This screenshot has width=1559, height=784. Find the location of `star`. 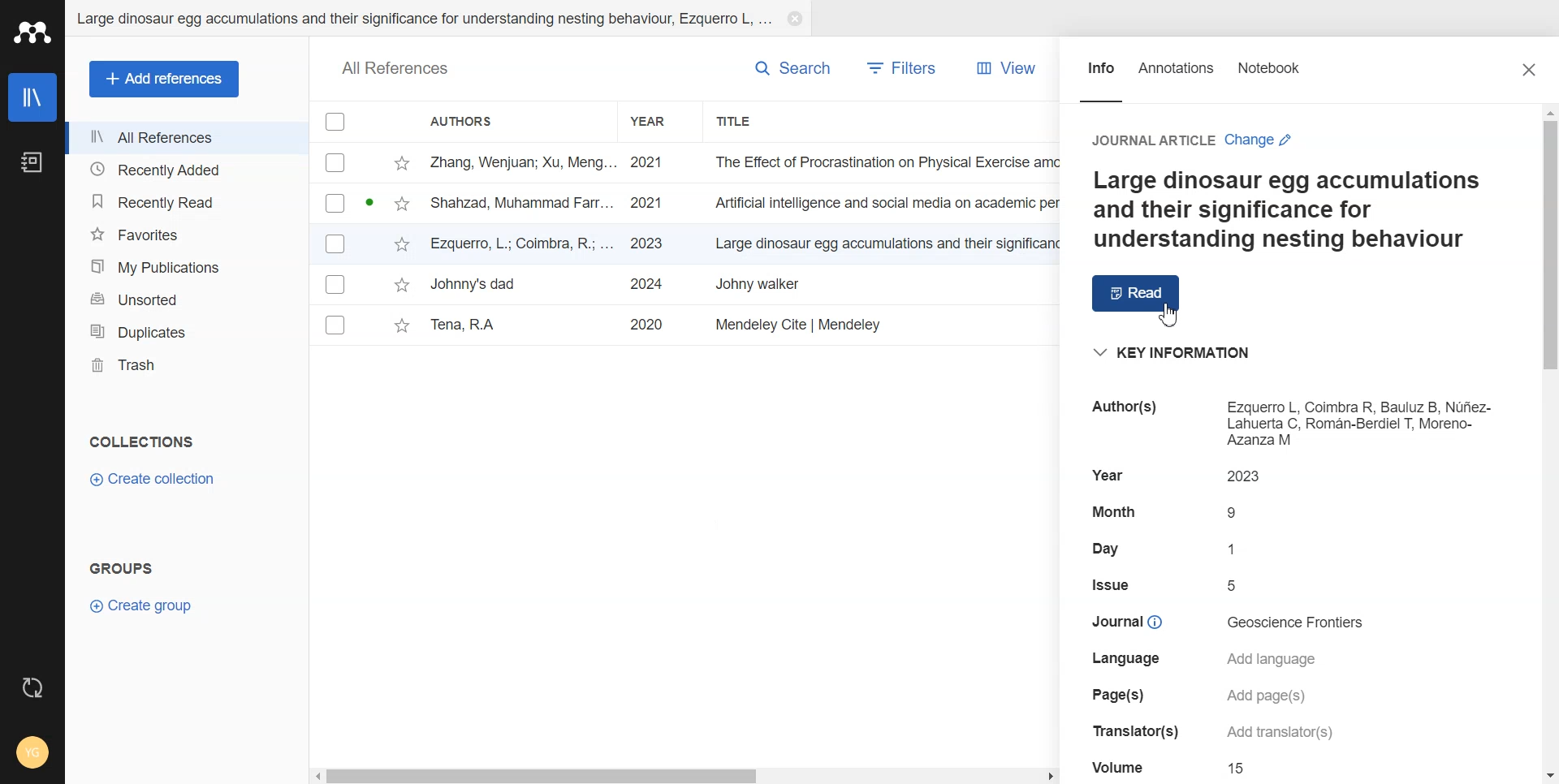

star is located at coordinates (401, 286).